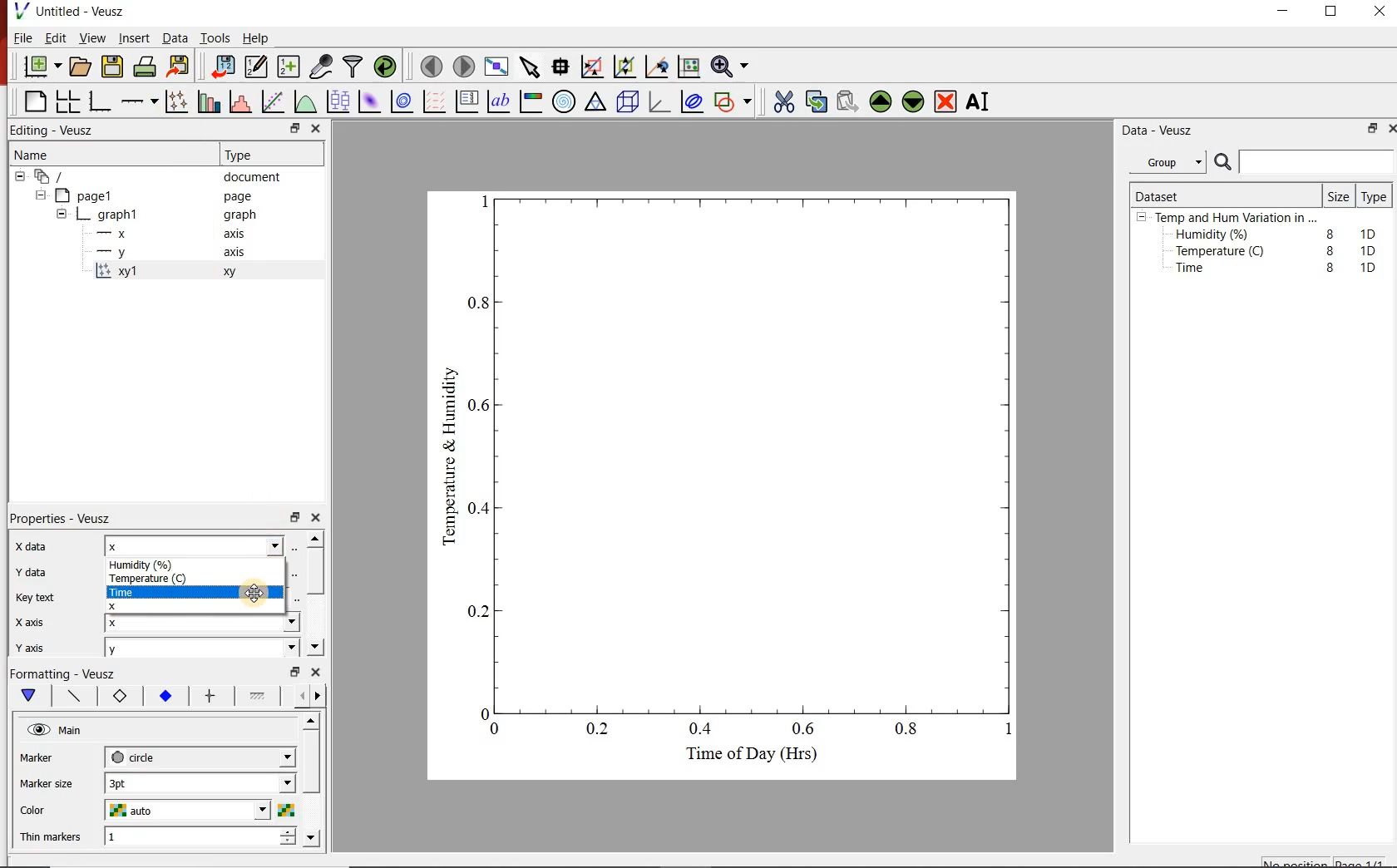  What do you see at coordinates (30, 697) in the screenshot?
I see `main formatting` at bounding box center [30, 697].